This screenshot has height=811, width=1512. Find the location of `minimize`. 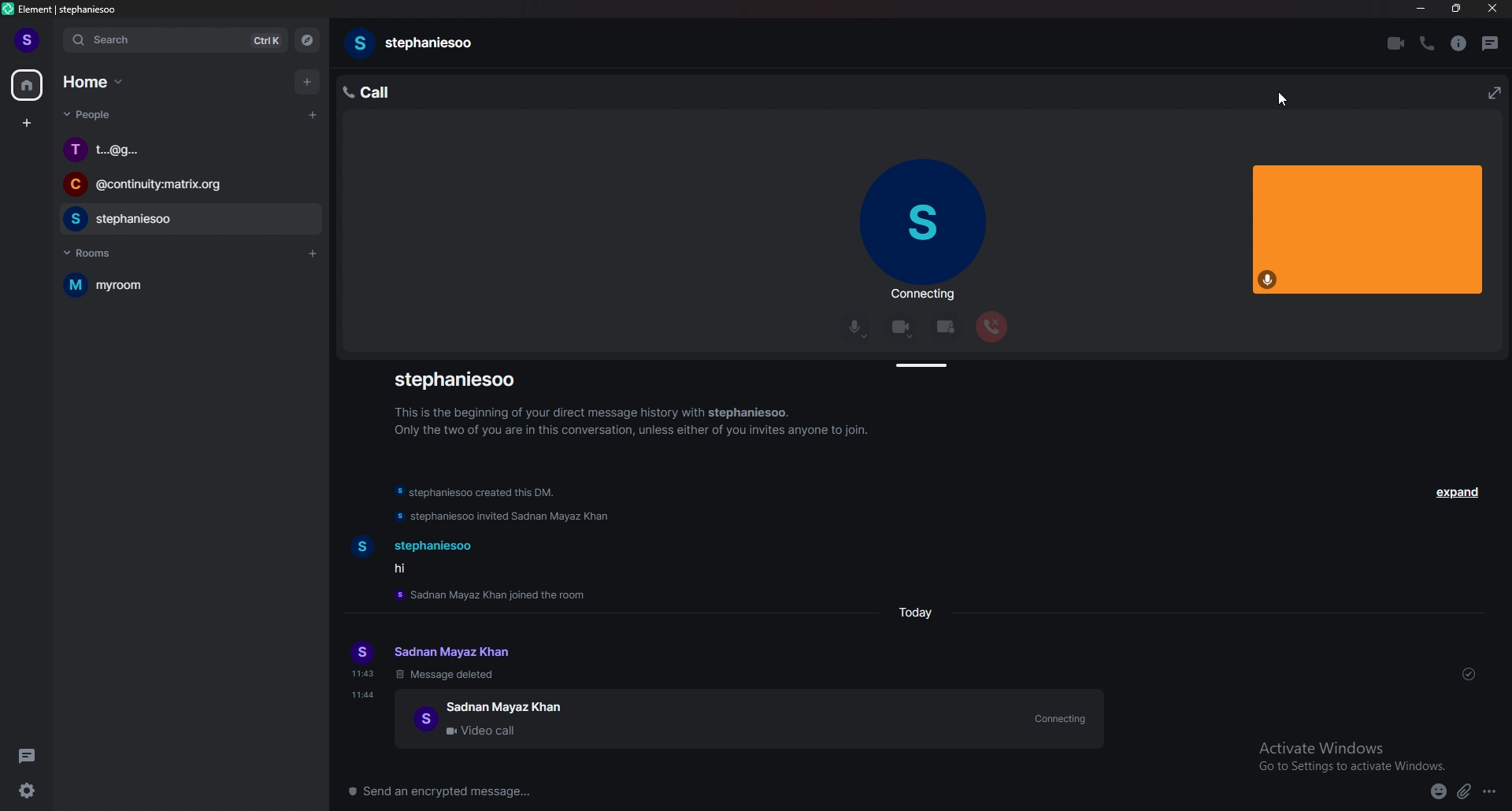

minimize is located at coordinates (1421, 9).